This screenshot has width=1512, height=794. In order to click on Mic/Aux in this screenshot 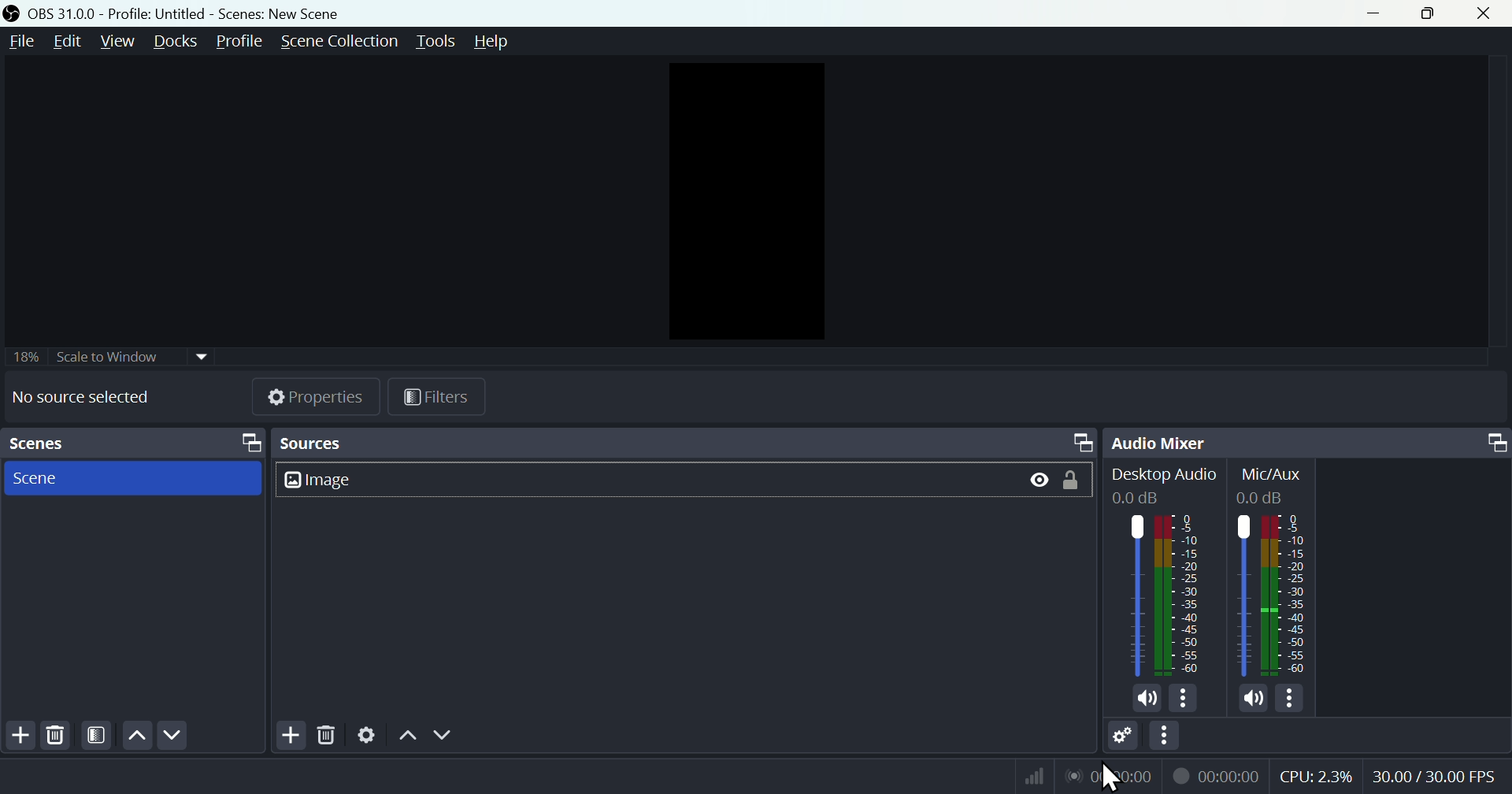, I will do `click(1269, 481)`.